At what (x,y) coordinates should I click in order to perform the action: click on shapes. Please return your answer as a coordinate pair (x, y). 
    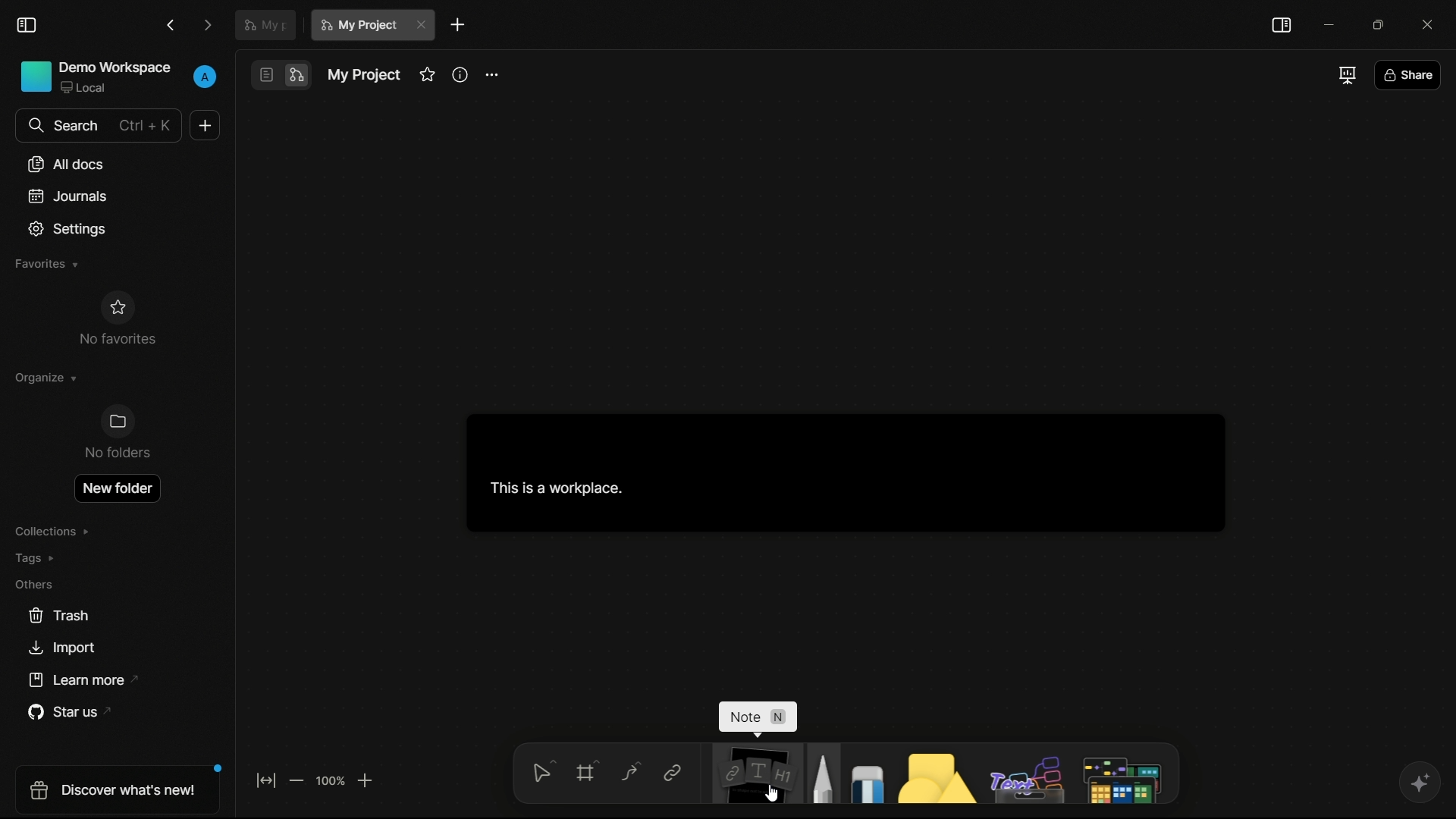
    Looking at the image, I should click on (931, 773).